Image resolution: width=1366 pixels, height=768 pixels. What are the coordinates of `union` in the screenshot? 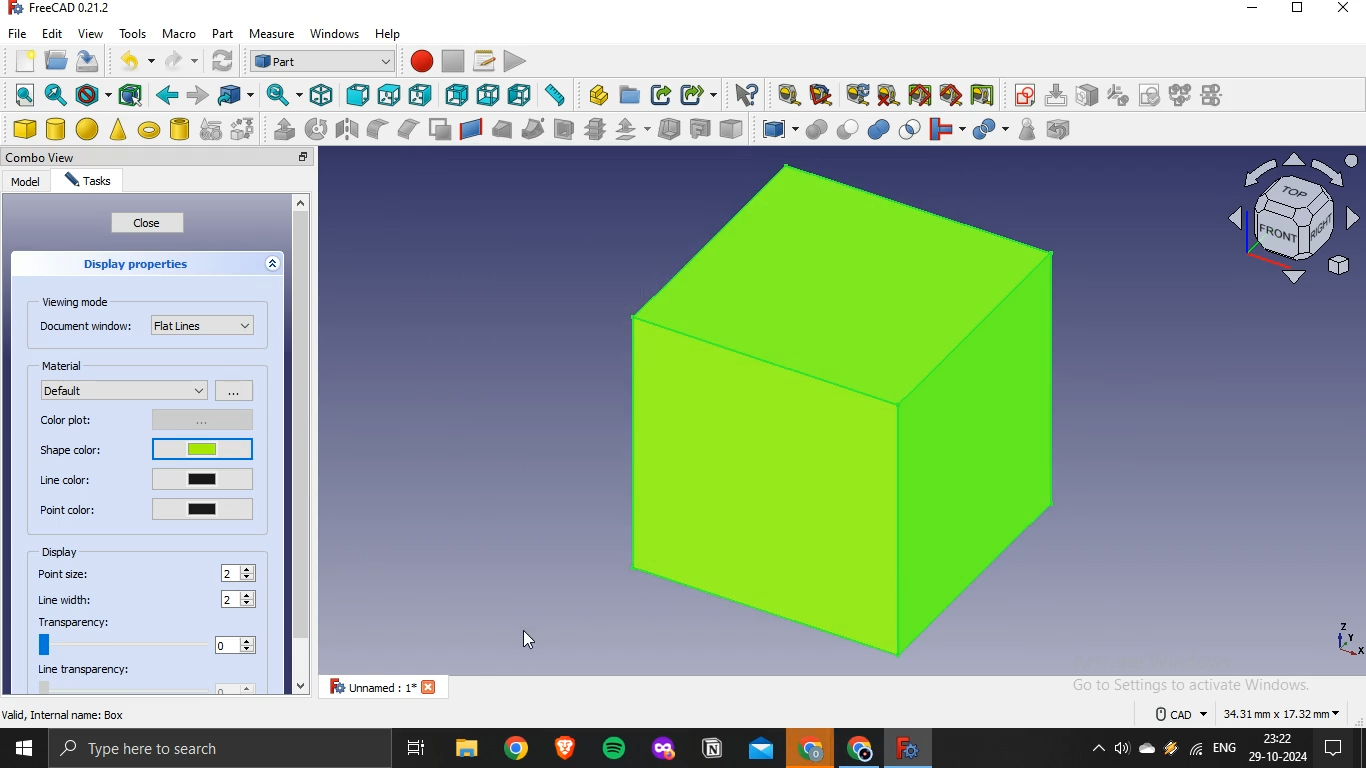 It's located at (879, 129).